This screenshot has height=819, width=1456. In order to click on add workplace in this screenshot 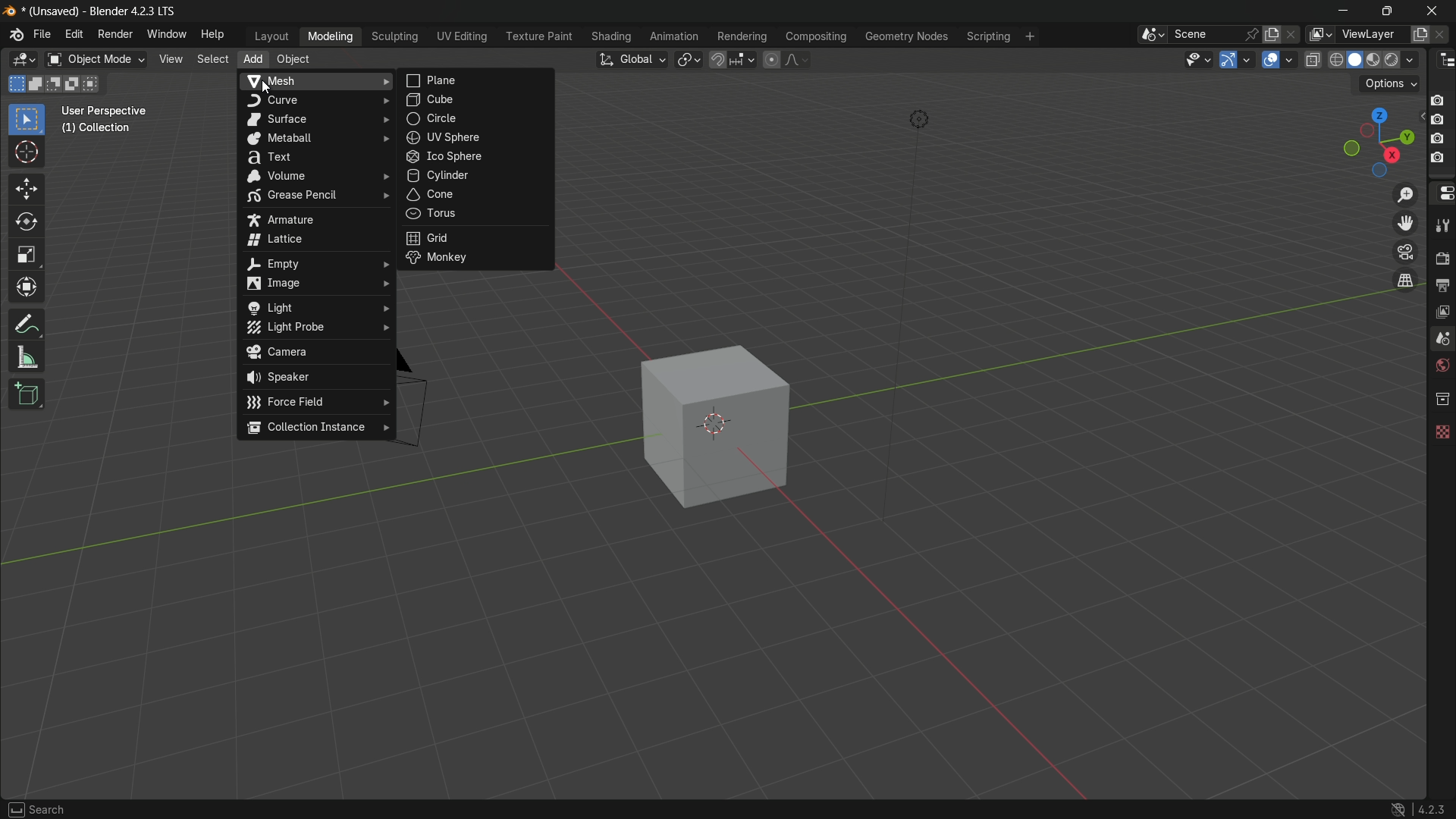, I will do `click(1029, 36)`.